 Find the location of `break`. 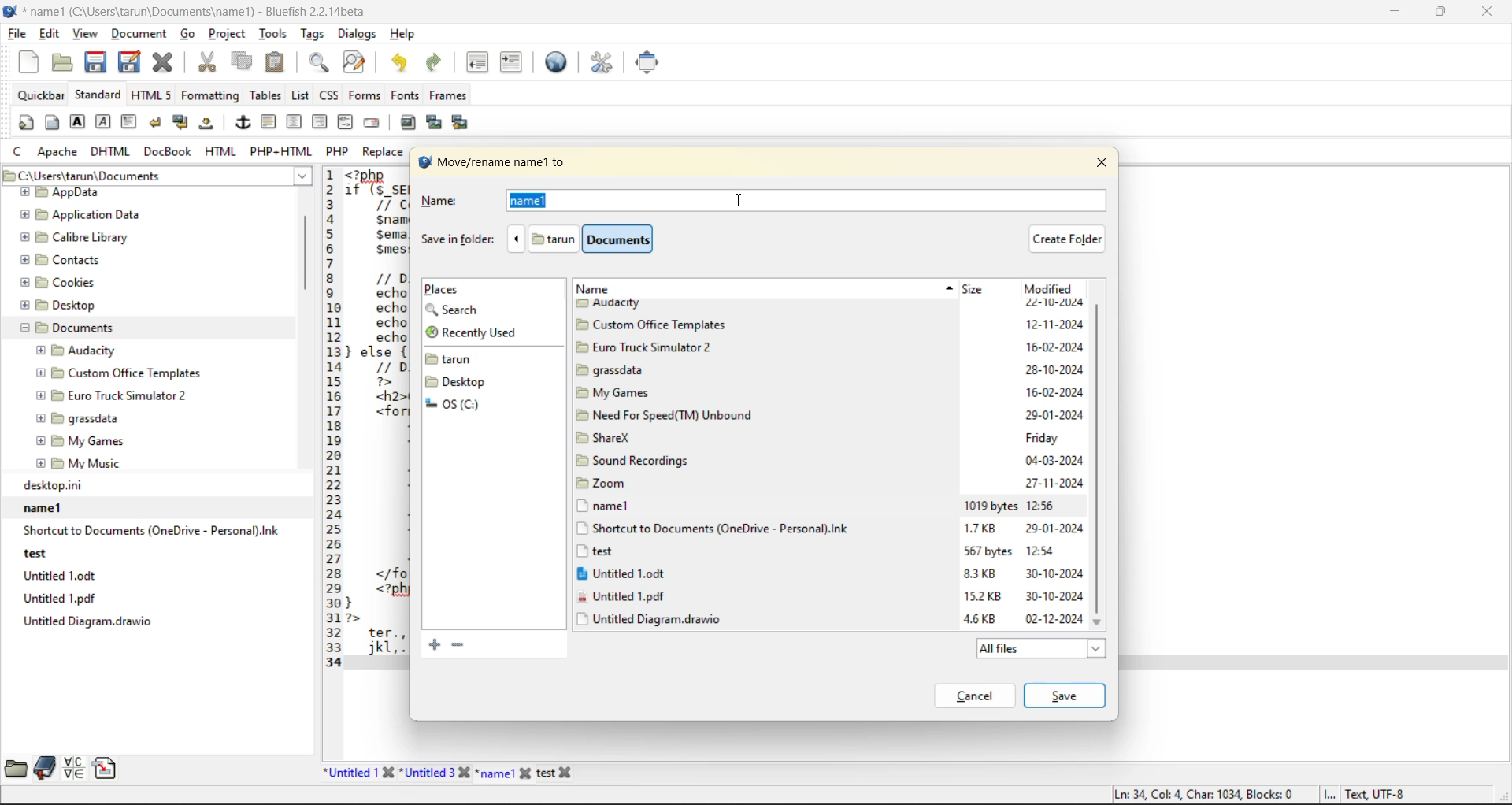

break is located at coordinates (158, 124).